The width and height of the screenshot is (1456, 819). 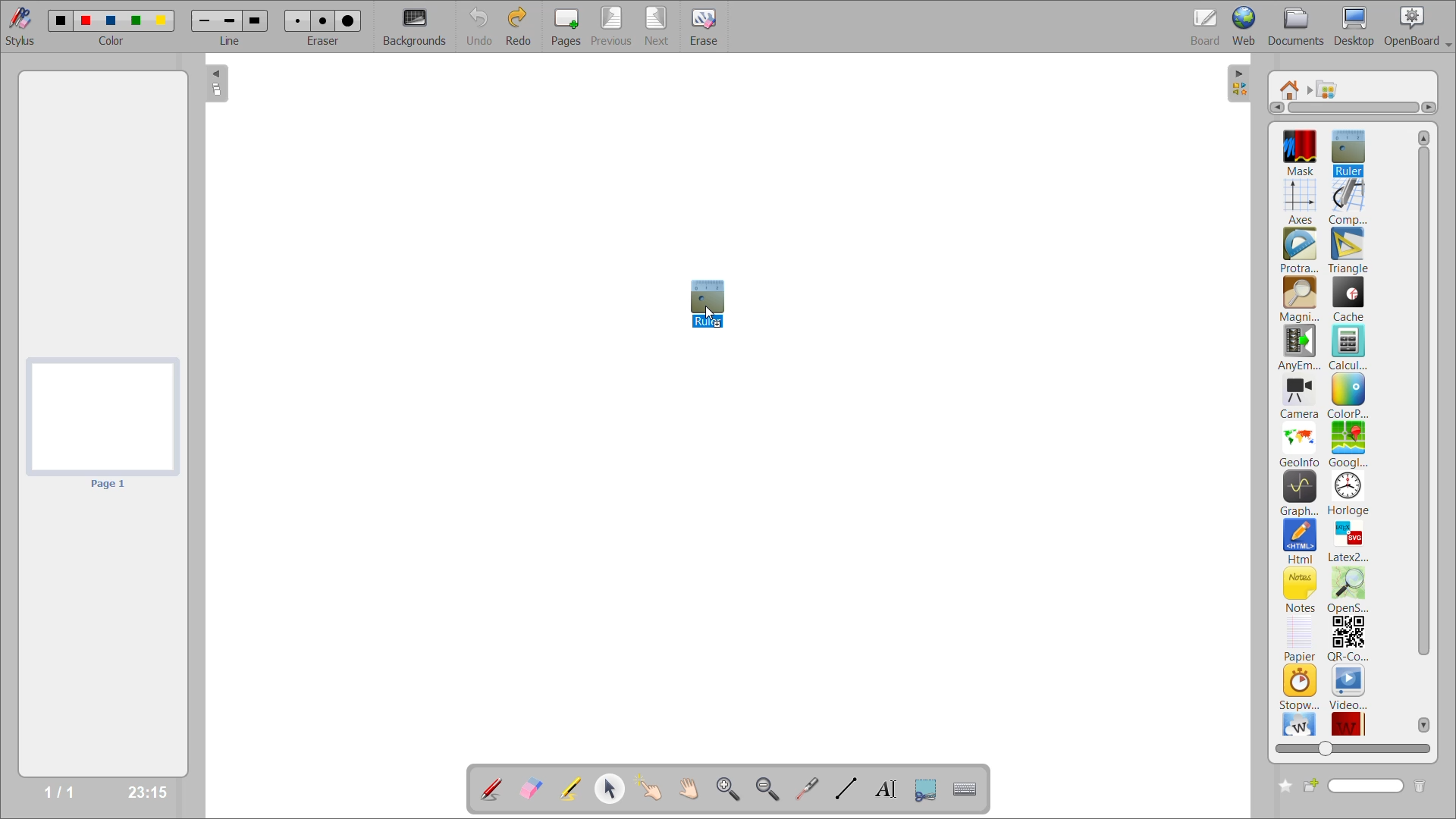 What do you see at coordinates (1348, 202) in the screenshot?
I see `compass` at bounding box center [1348, 202].